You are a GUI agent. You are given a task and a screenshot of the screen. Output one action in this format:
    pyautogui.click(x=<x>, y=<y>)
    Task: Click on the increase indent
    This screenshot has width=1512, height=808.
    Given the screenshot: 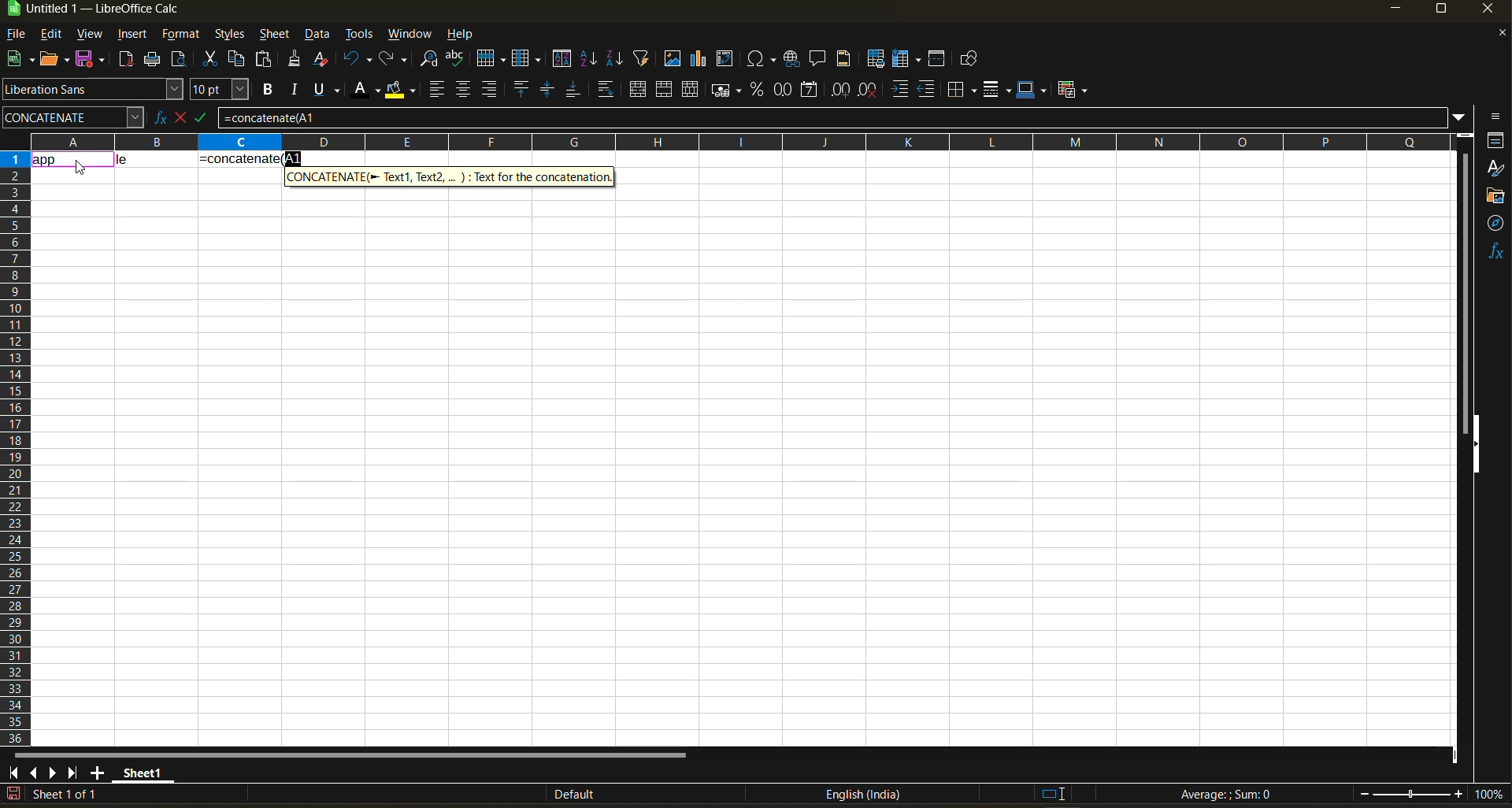 What is the action you would take?
    pyautogui.click(x=902, y=90)
    